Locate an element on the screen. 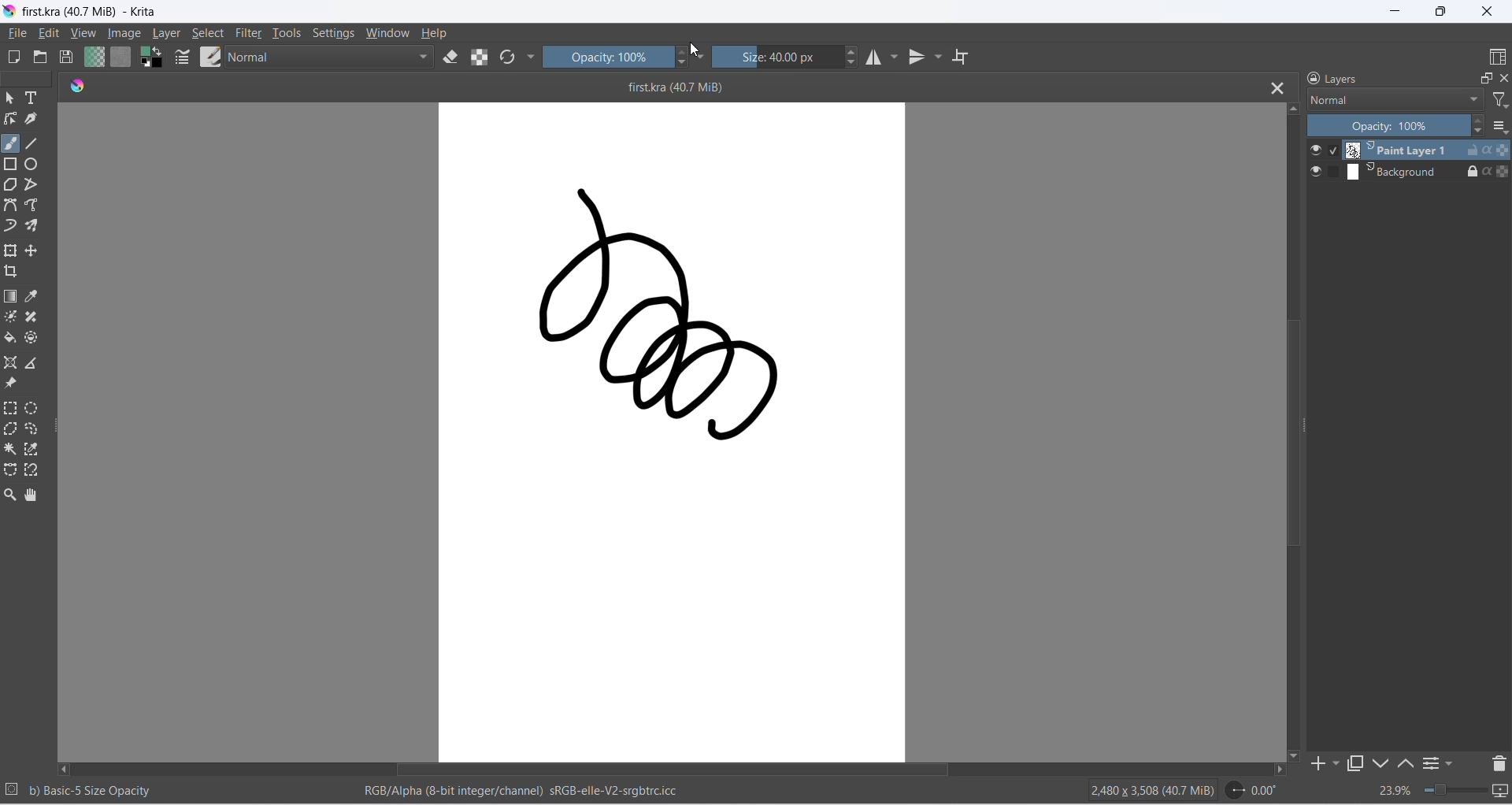 The height and width of the screenshot is (805, 1512). multibrush tool is located at coordinates (31, 226).